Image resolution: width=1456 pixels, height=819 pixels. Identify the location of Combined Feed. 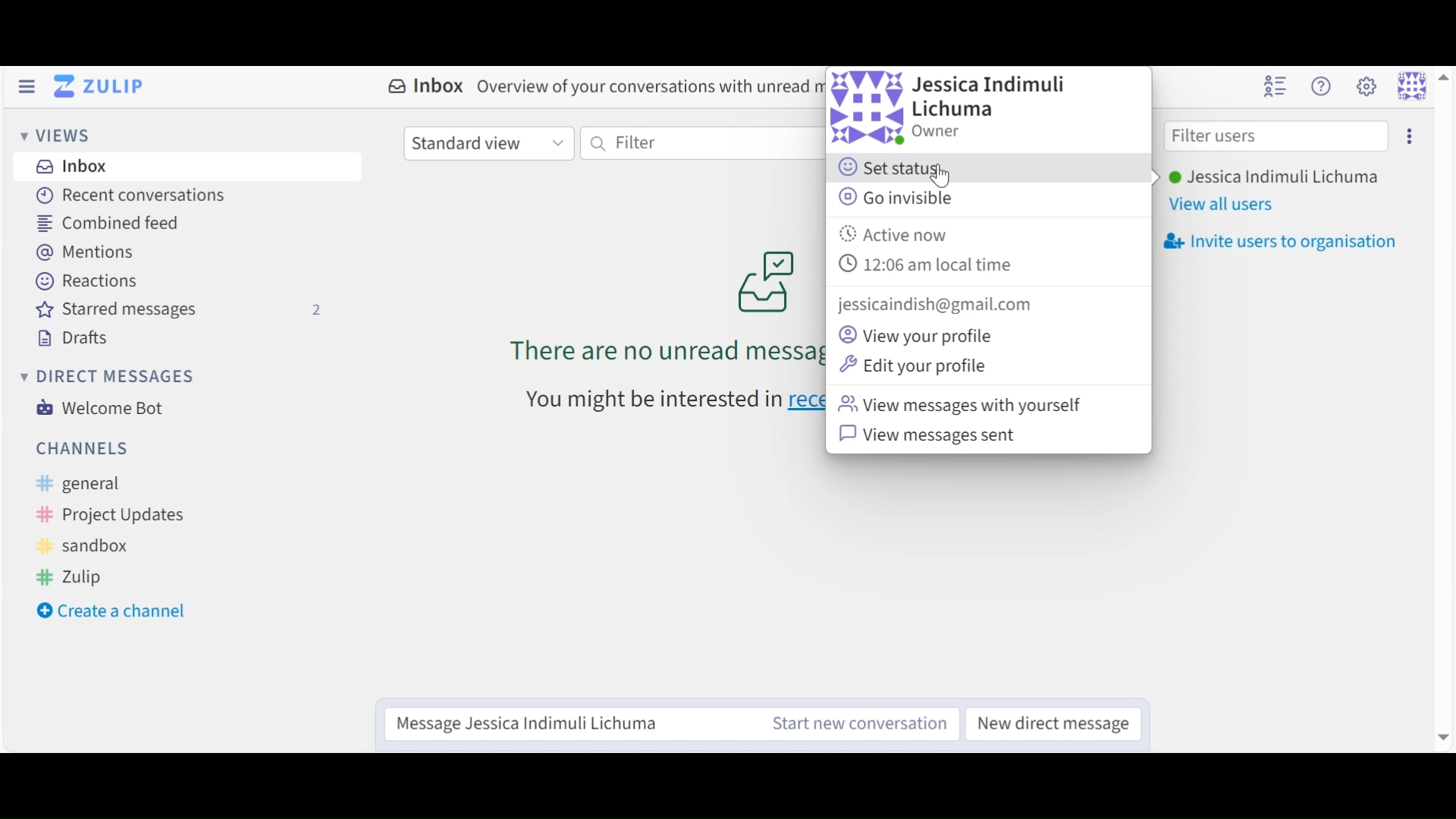
(108, 224).